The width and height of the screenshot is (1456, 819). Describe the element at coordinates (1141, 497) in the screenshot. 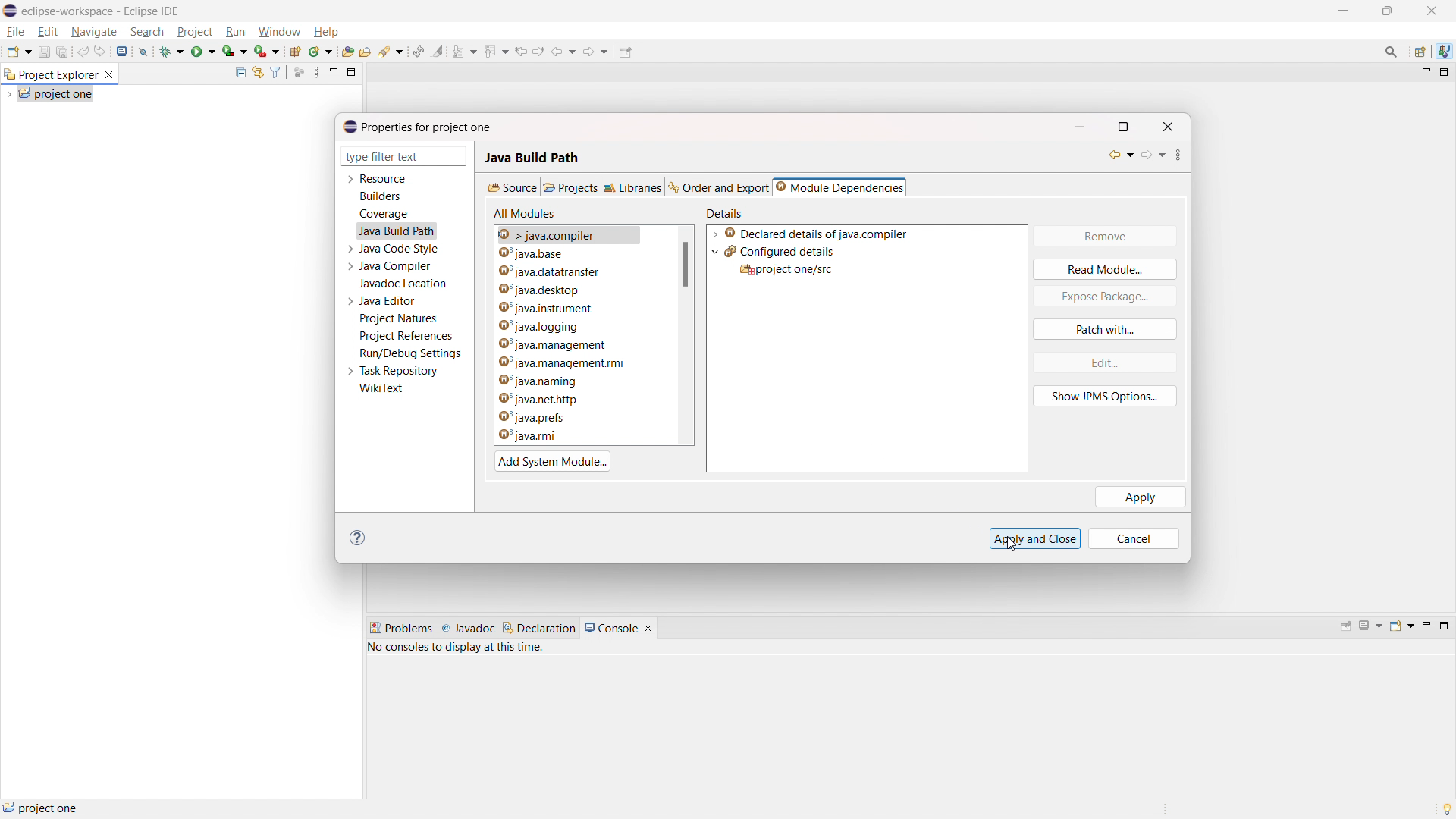

I see `apply` at that location.